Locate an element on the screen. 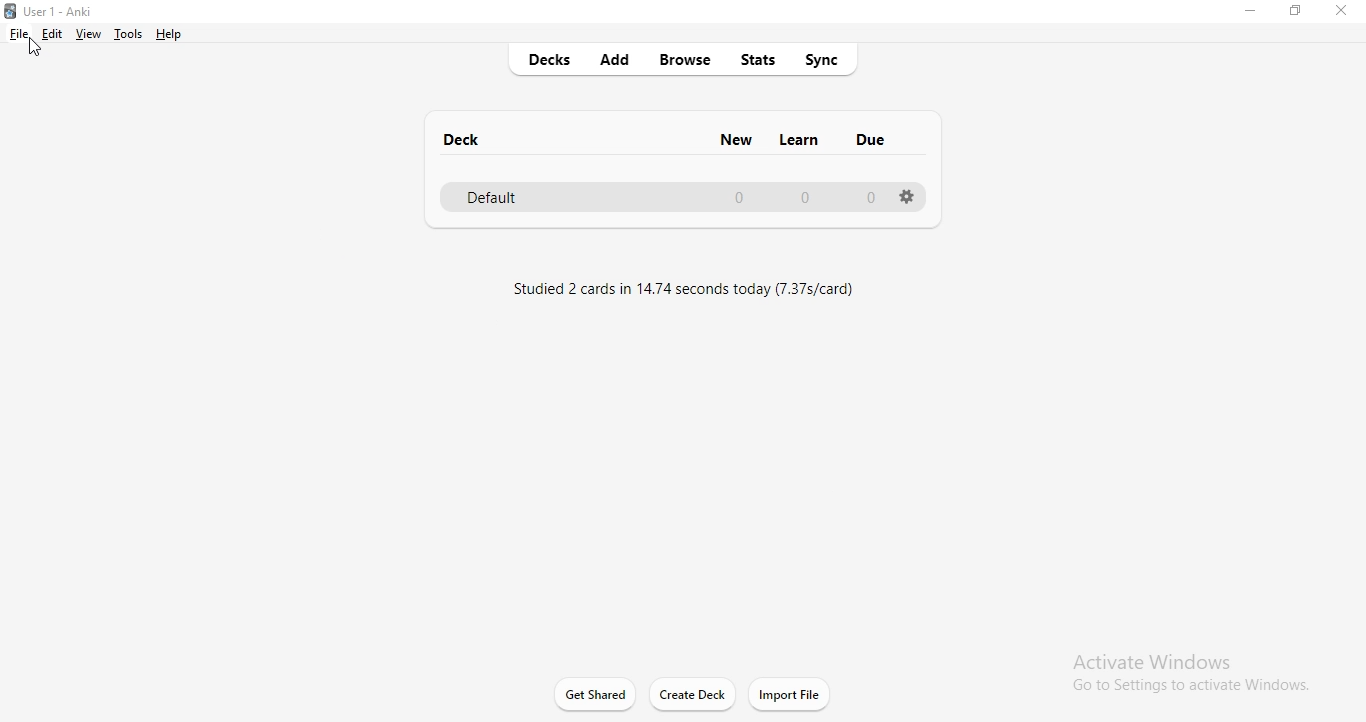  close is located at coordinates (1345, 12).